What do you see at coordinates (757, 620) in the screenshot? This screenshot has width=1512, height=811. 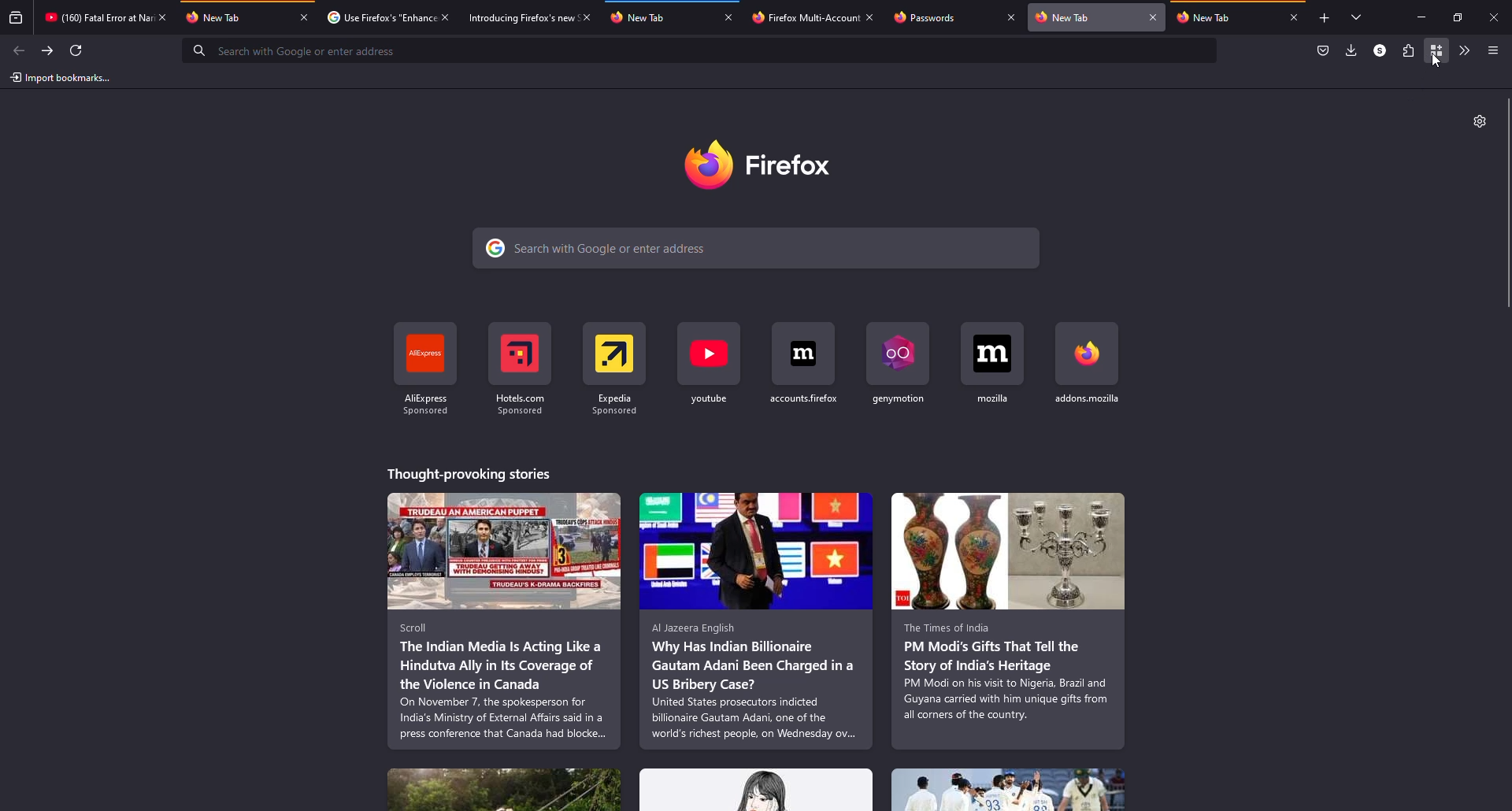 I see `stories` at bounding box center [757, 620].